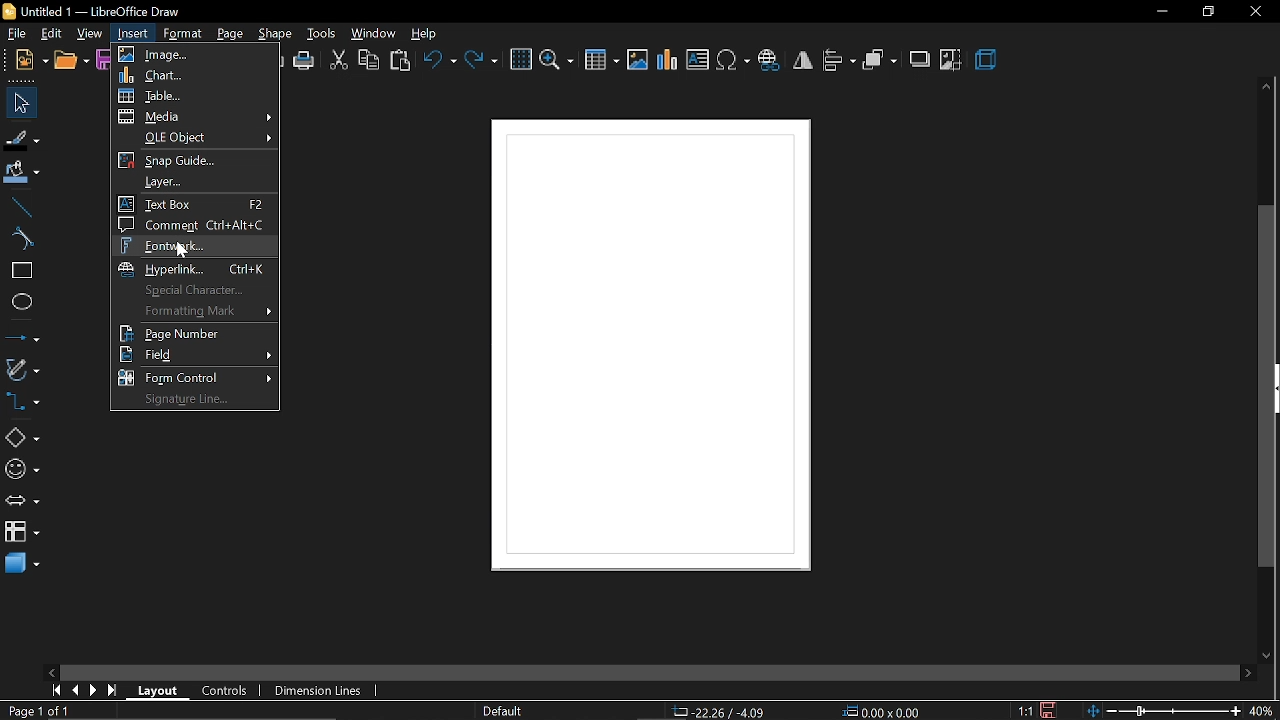 The width and height of the screenshot is (1280, 720). Describe the element at coordinates (196, 268) in the screenshot. I see `hyperlink` at that location.